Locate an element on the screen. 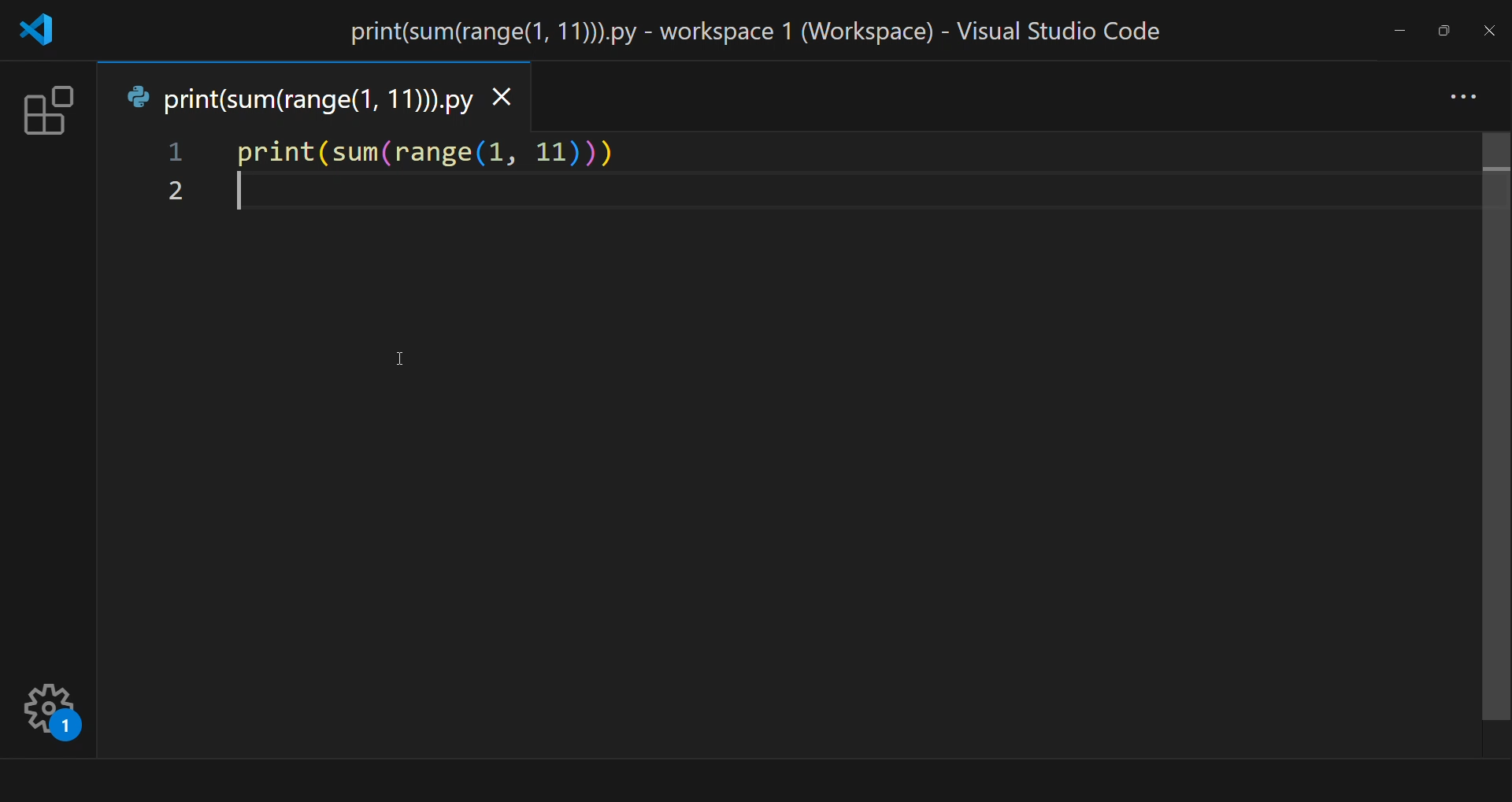 The width and height of the screenshot is (1512, 802). extension is located at coordinates (43, 113).